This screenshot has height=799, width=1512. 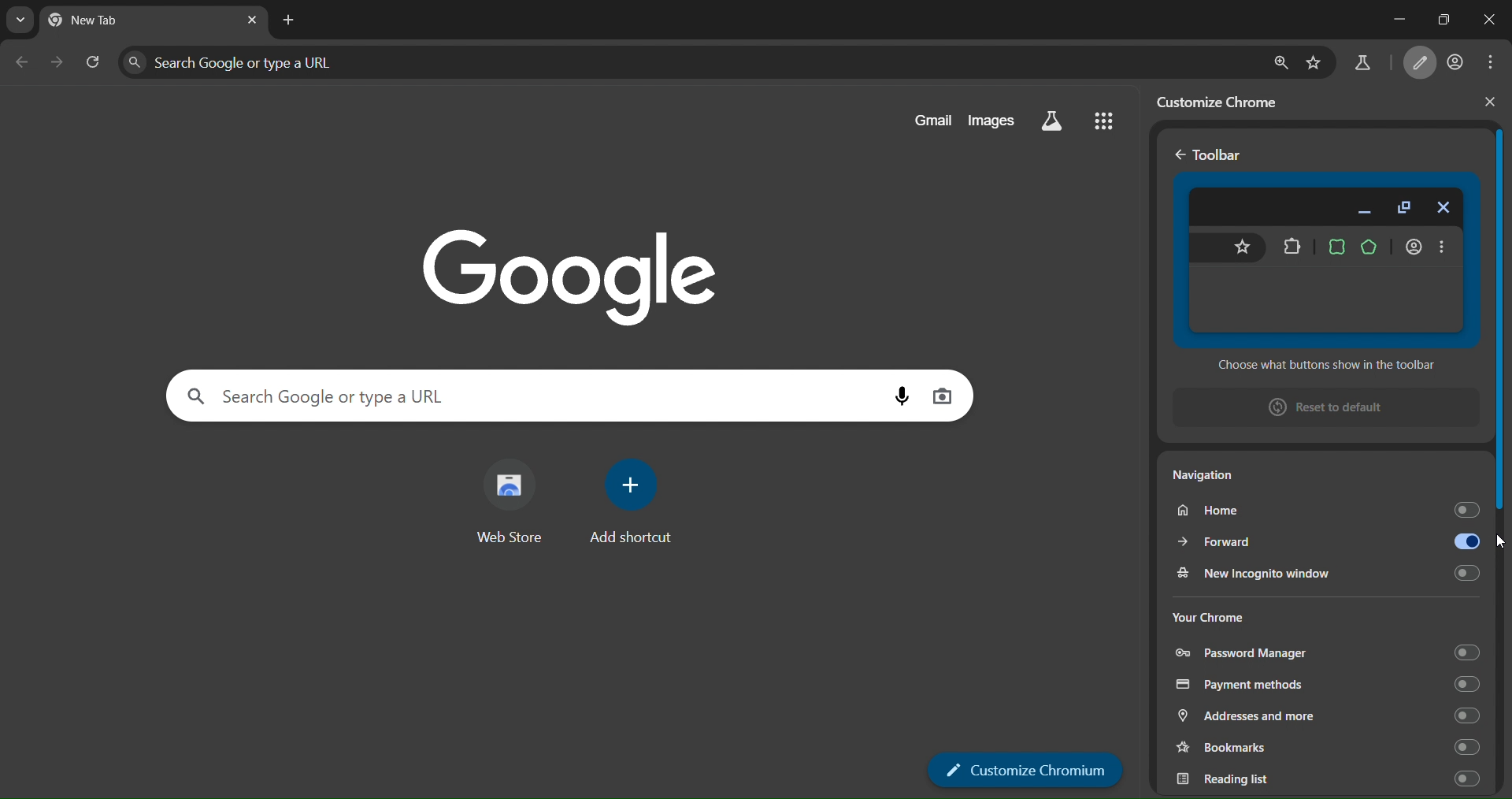 I want to click on new tab, so click(x=289, y=20).